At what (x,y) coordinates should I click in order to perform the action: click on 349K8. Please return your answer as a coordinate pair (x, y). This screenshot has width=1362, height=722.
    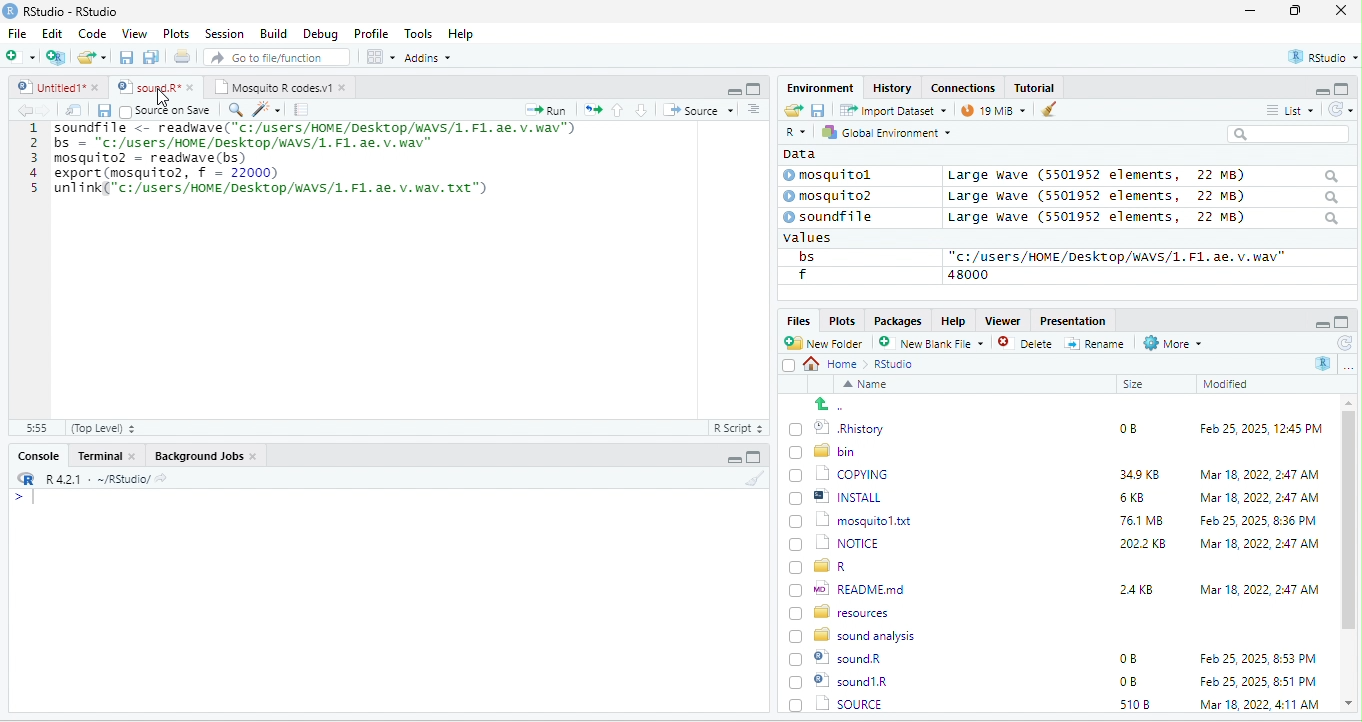
    Looking at the image, I should click on (1140, 475).